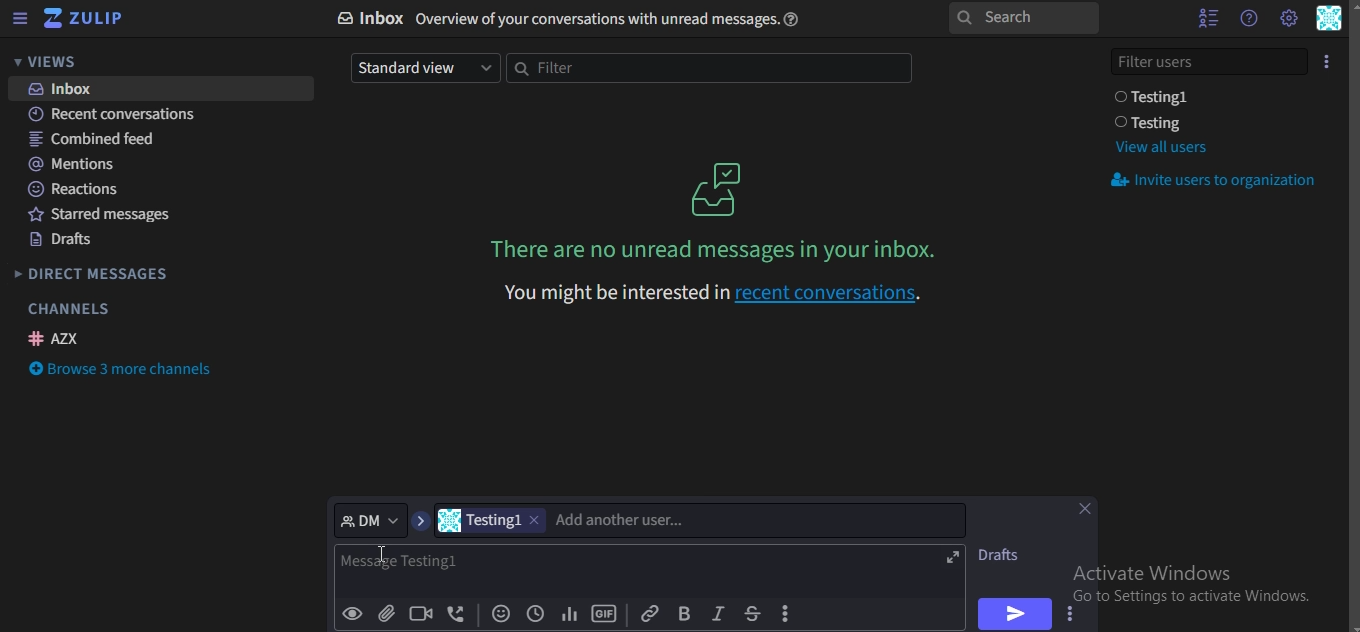 The width and height of the screenshot is (1360, 632). What do you see at coordinates (604, 614) in the screenshot?
I see `GIF` at bounding box center [604, 614].